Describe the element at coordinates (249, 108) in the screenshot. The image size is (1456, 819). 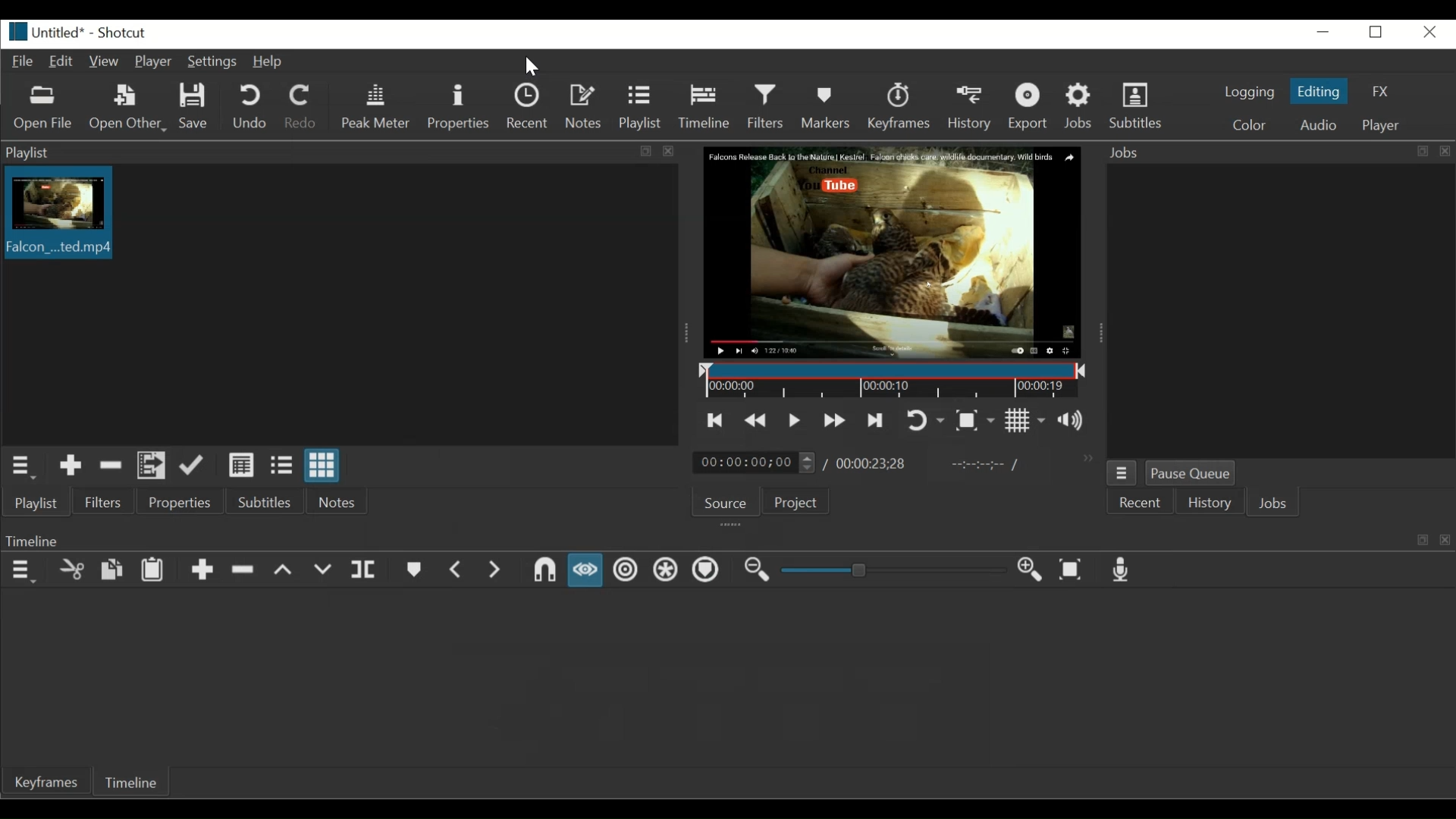
I see `Undo` at that location.